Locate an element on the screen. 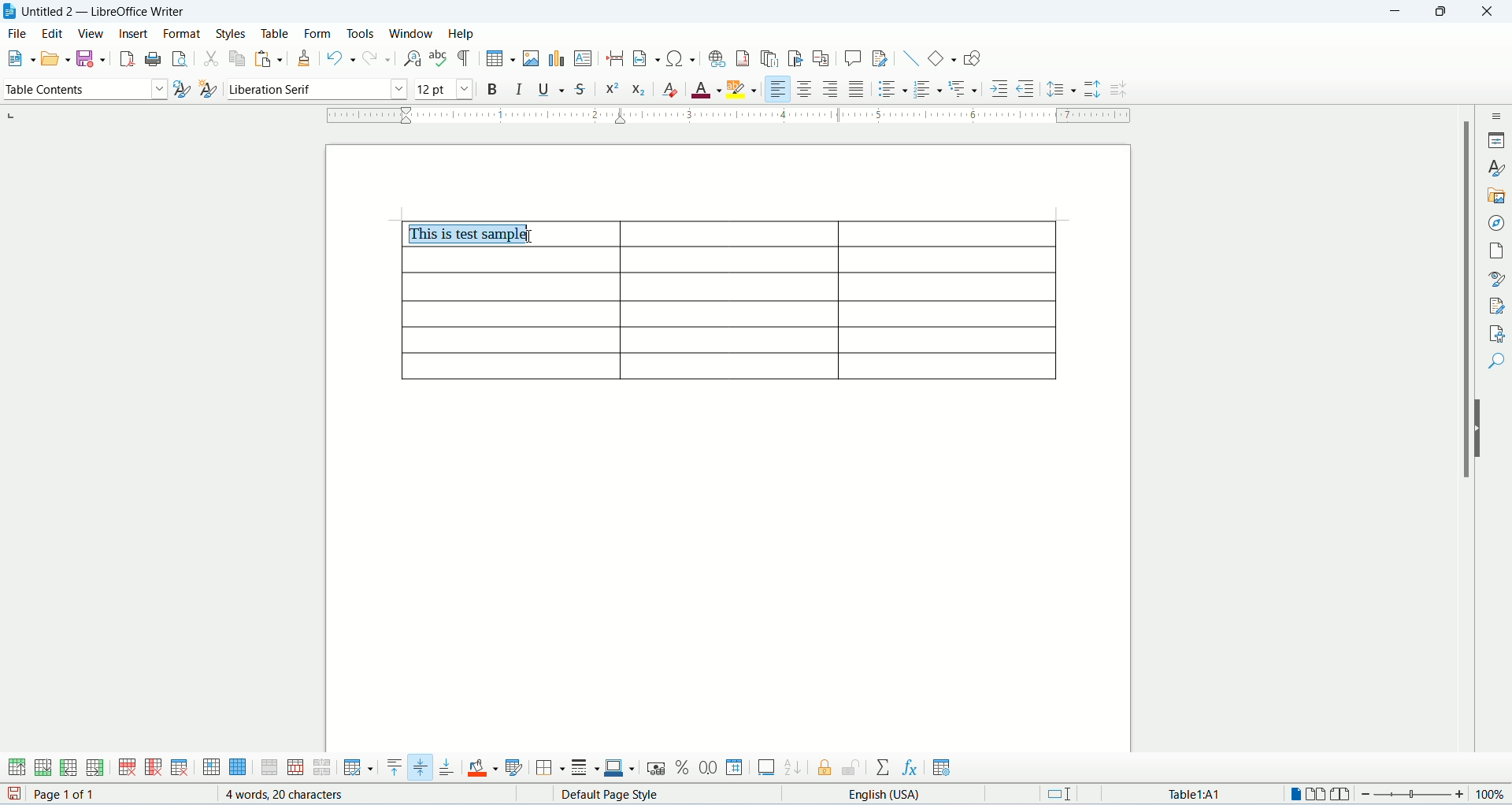 The image size is (1512, 805). tools is located at coordinates (365, 33).